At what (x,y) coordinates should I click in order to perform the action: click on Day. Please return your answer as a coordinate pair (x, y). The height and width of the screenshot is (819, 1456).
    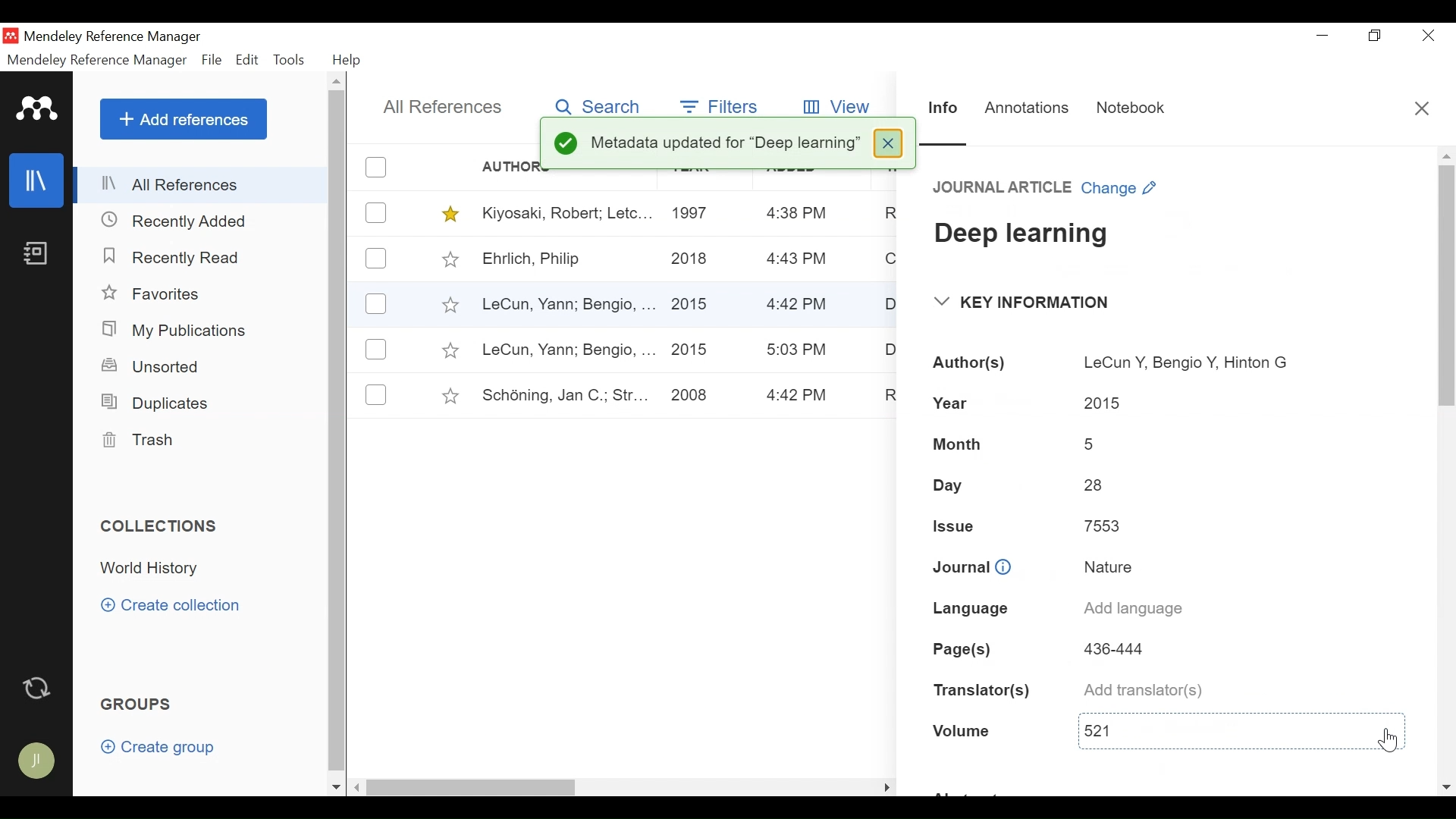
    Looking at the image, I should click on (947, 485).